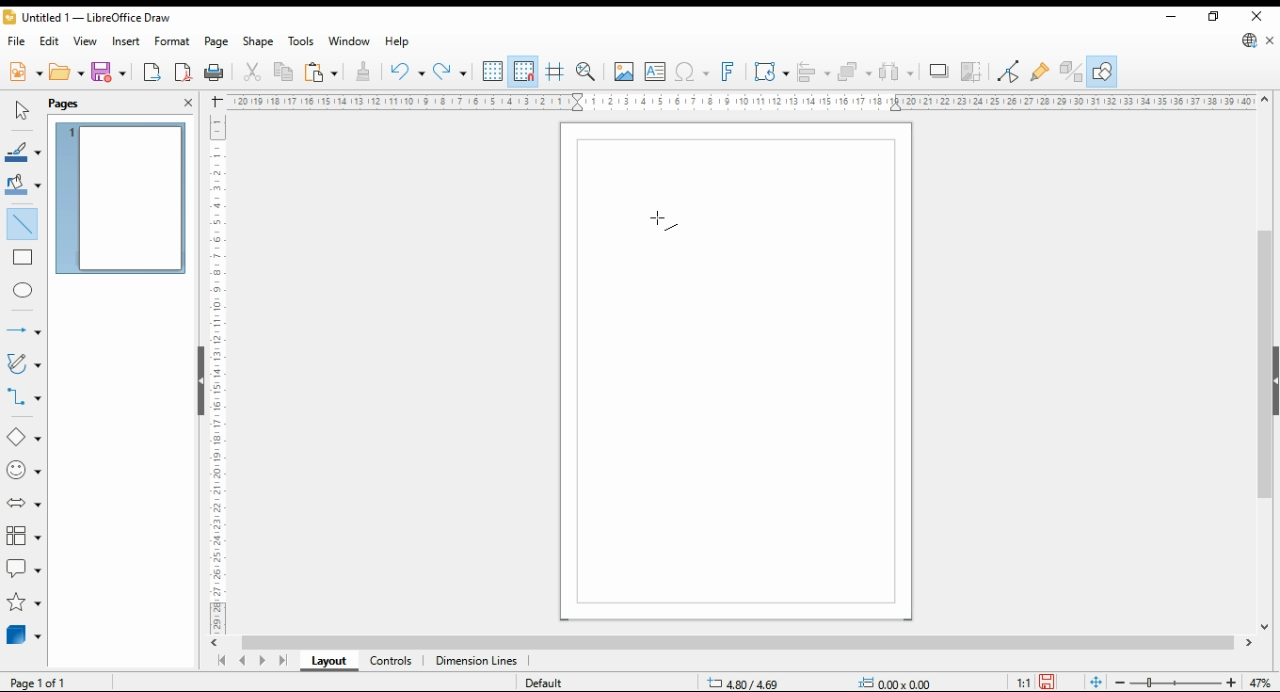  What do you see at coordinates (24, 397) in the screenshot?
I see `connectors` at bounding box center [24, 397].